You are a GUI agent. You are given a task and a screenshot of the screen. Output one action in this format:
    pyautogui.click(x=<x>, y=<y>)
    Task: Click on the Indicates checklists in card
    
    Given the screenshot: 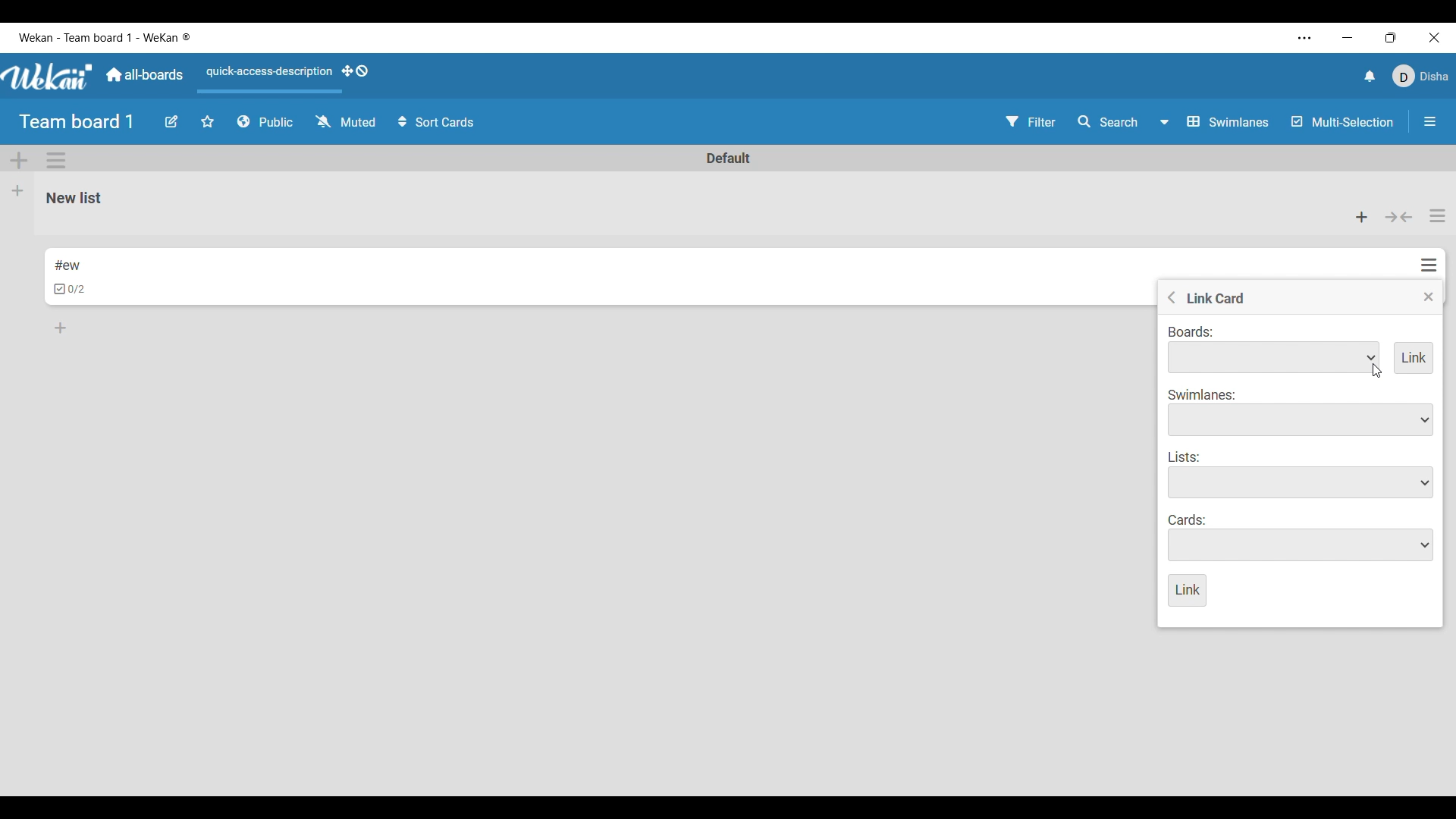 What is the action you would take?
    pyautogui.click(x=70, y=289)
    